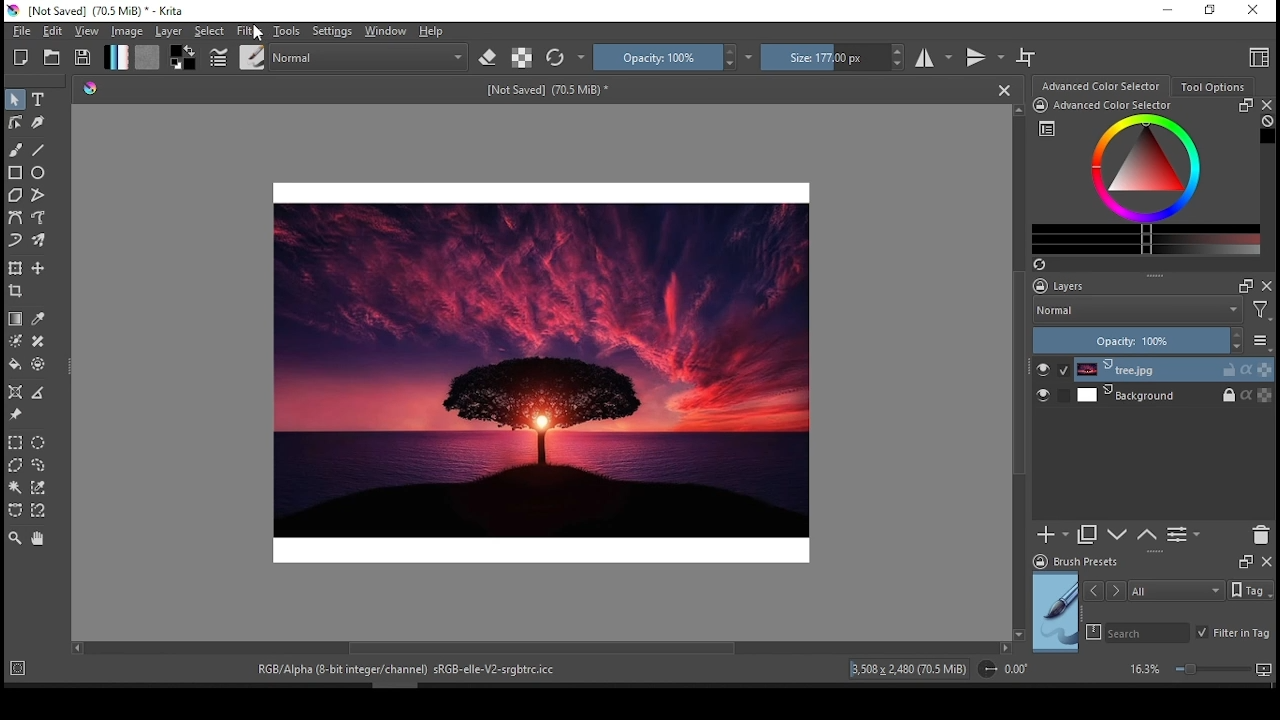 Image resolution: width=1280 pixels, height=720 pixels. Describe the element at coordinates (1241, 562) in the screenshot. I see `Frame` at that location.